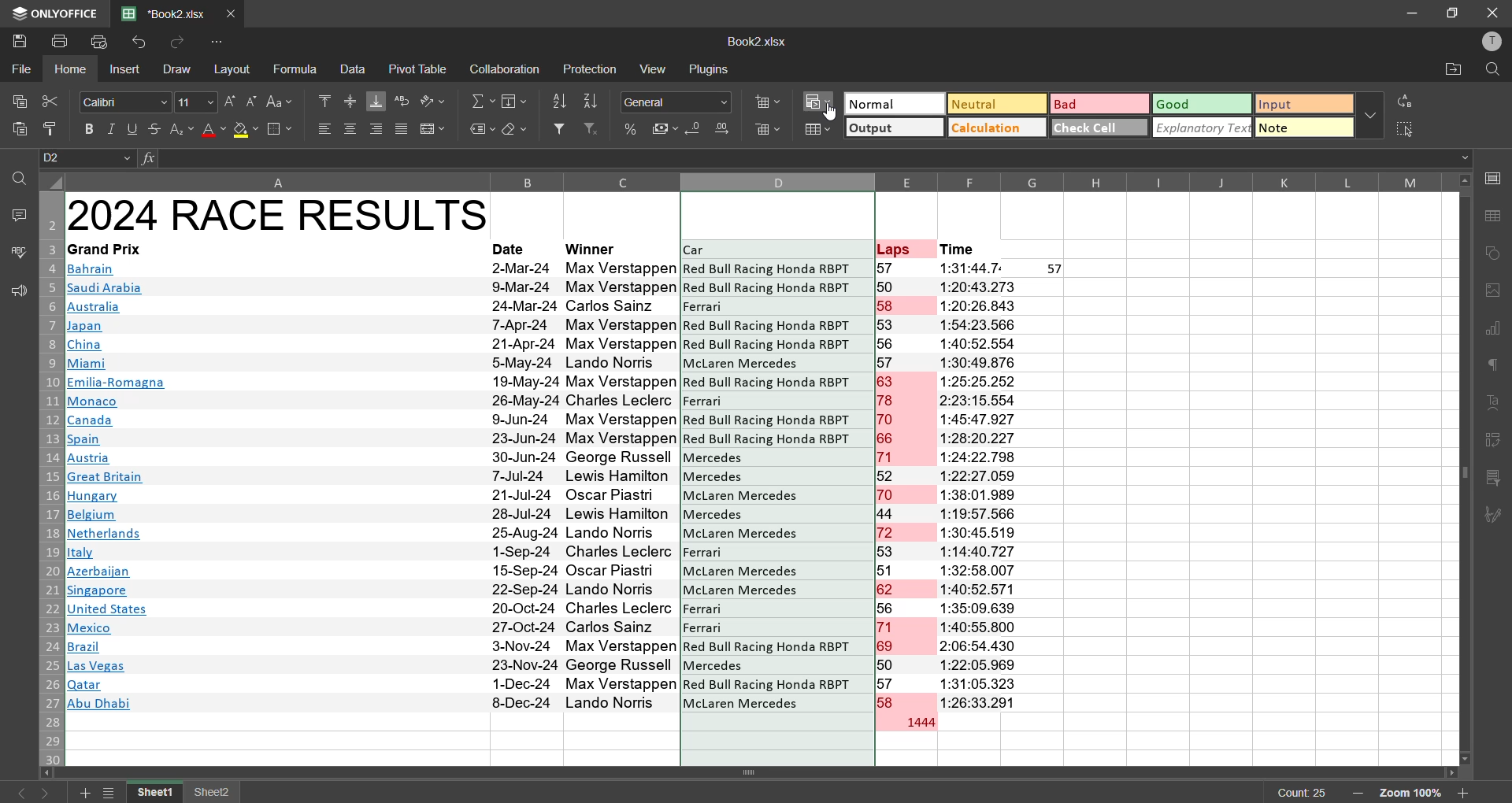 This screenshot has width=1512, height=803. What do you see at coordinates (1450, 72) in the screenshot?
I see `open location` at bounding box center [1450, 72].